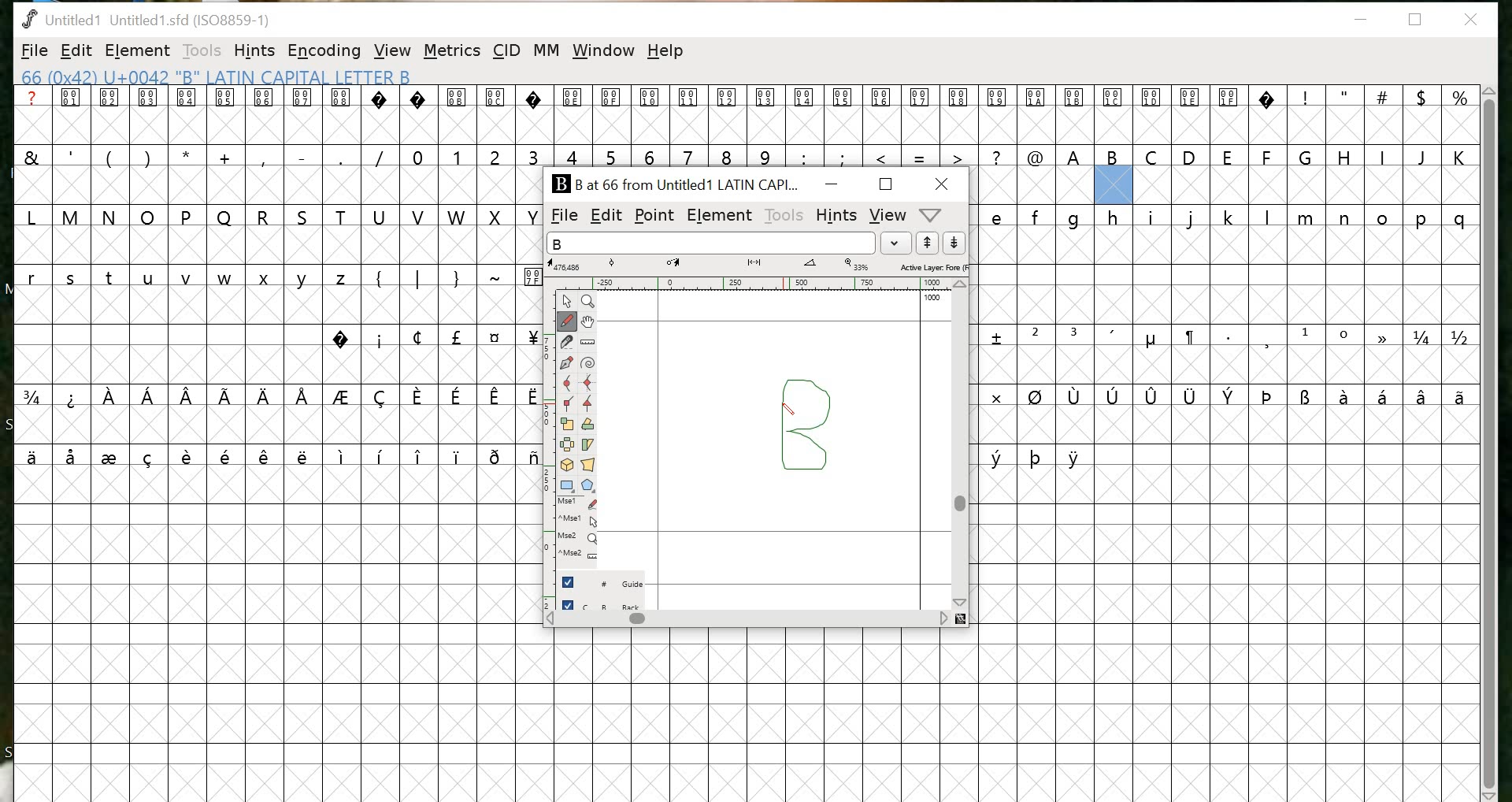 This screenshot has width=1512, height=802. Describe the element at coordinates (324, 50) in the screenshot. I see `ENCODING` at that location.